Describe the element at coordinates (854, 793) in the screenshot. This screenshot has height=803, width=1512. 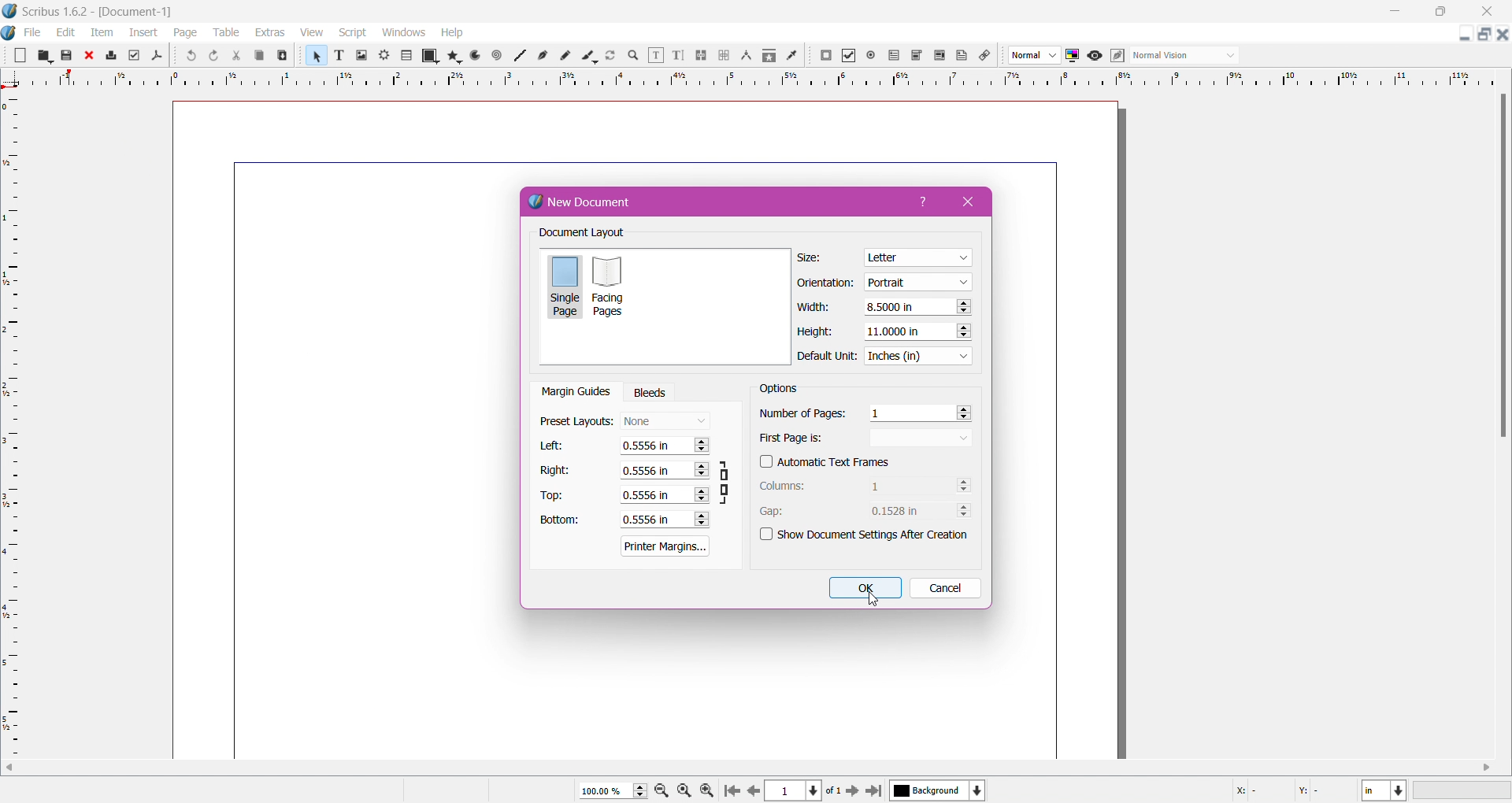
I see `next` at that location.